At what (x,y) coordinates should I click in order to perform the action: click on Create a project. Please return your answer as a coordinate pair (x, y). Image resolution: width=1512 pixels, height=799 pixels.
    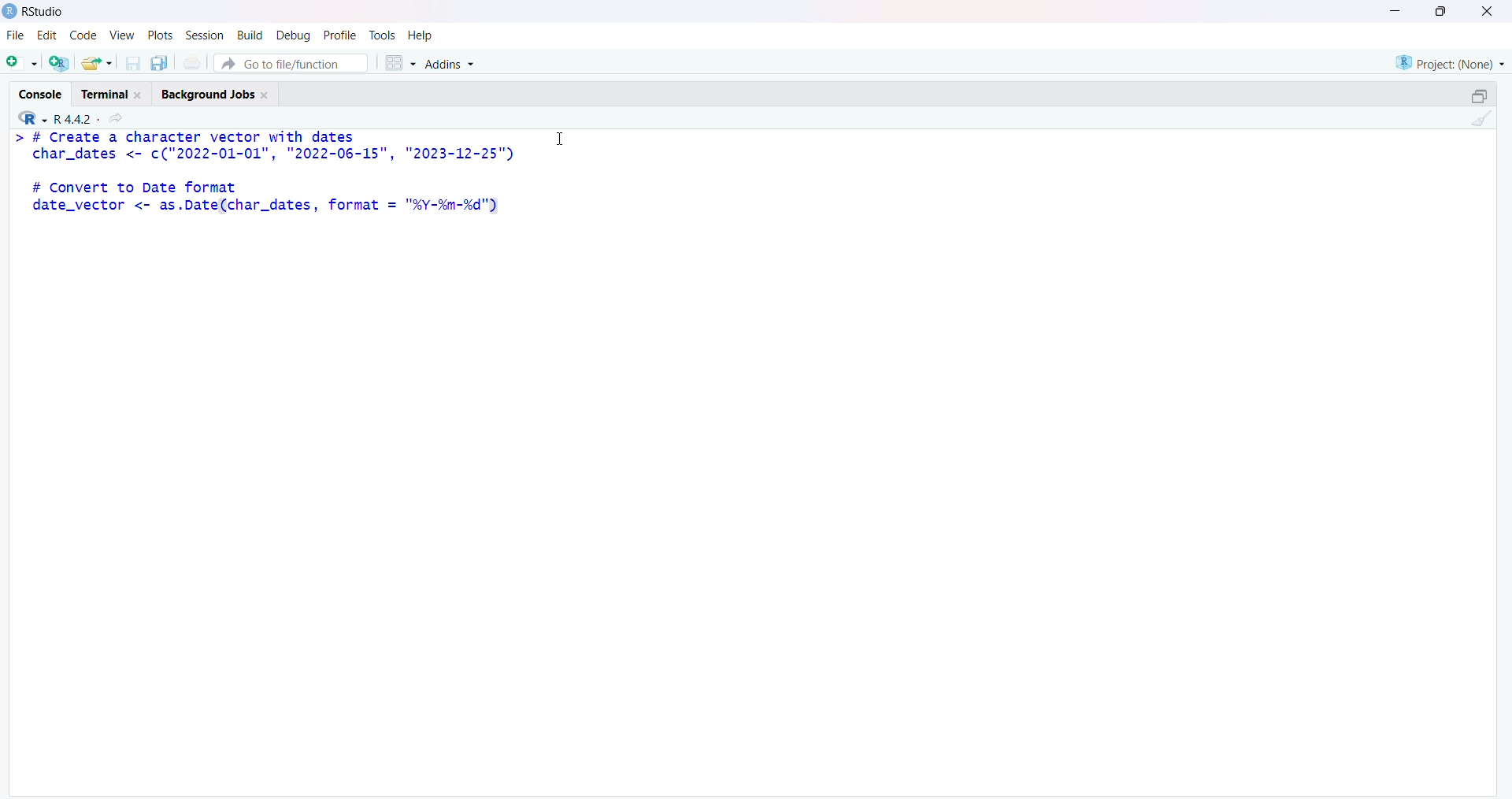
    Looking at the image, I should click on (62, 61).